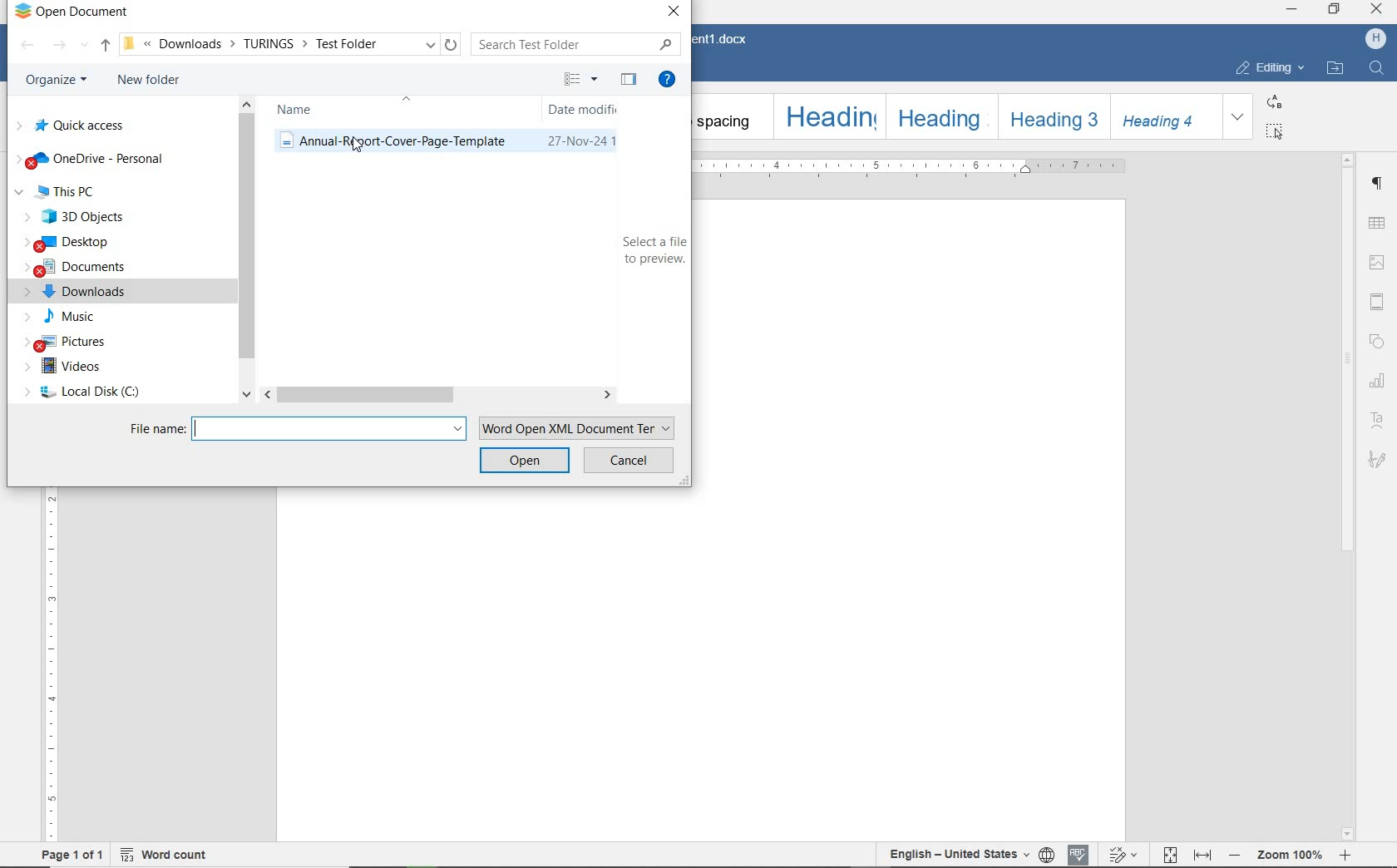 The height and width of the screenshot is (868, 1397). I want to click on path, so click(289, 45).